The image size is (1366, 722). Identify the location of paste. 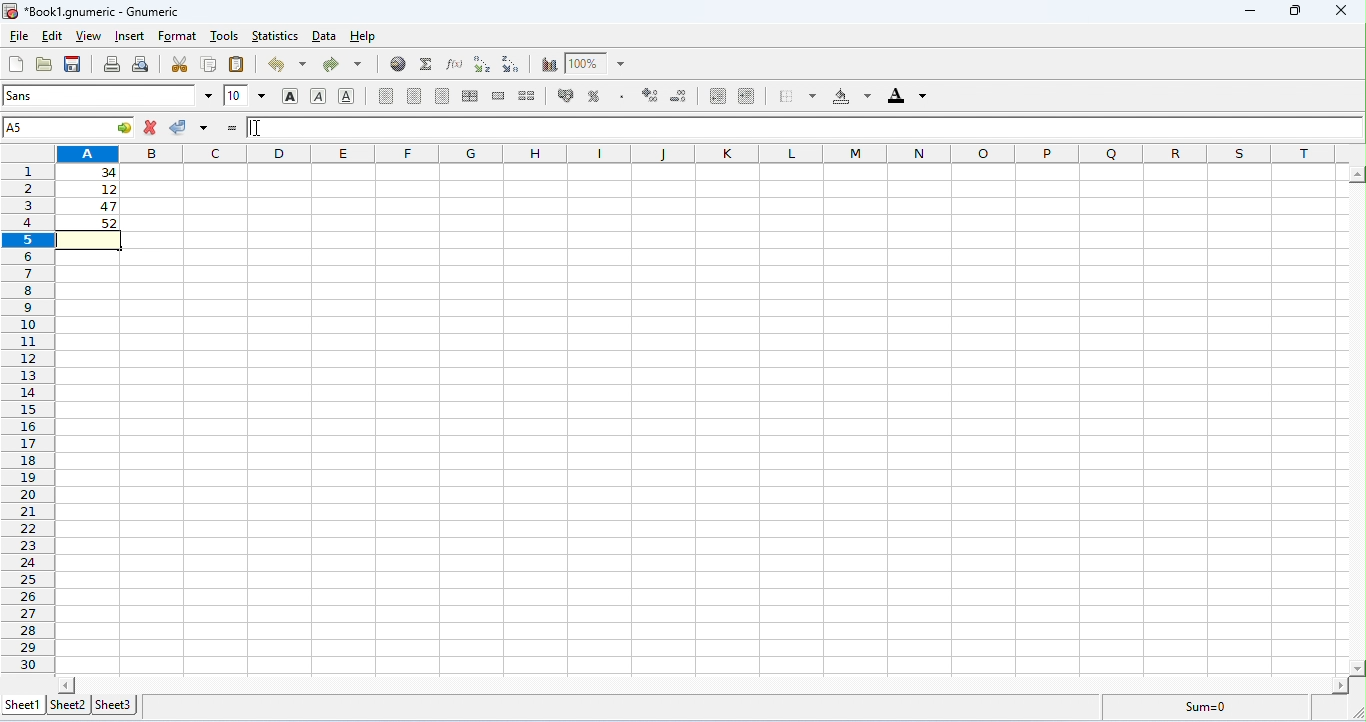
(238, 64).